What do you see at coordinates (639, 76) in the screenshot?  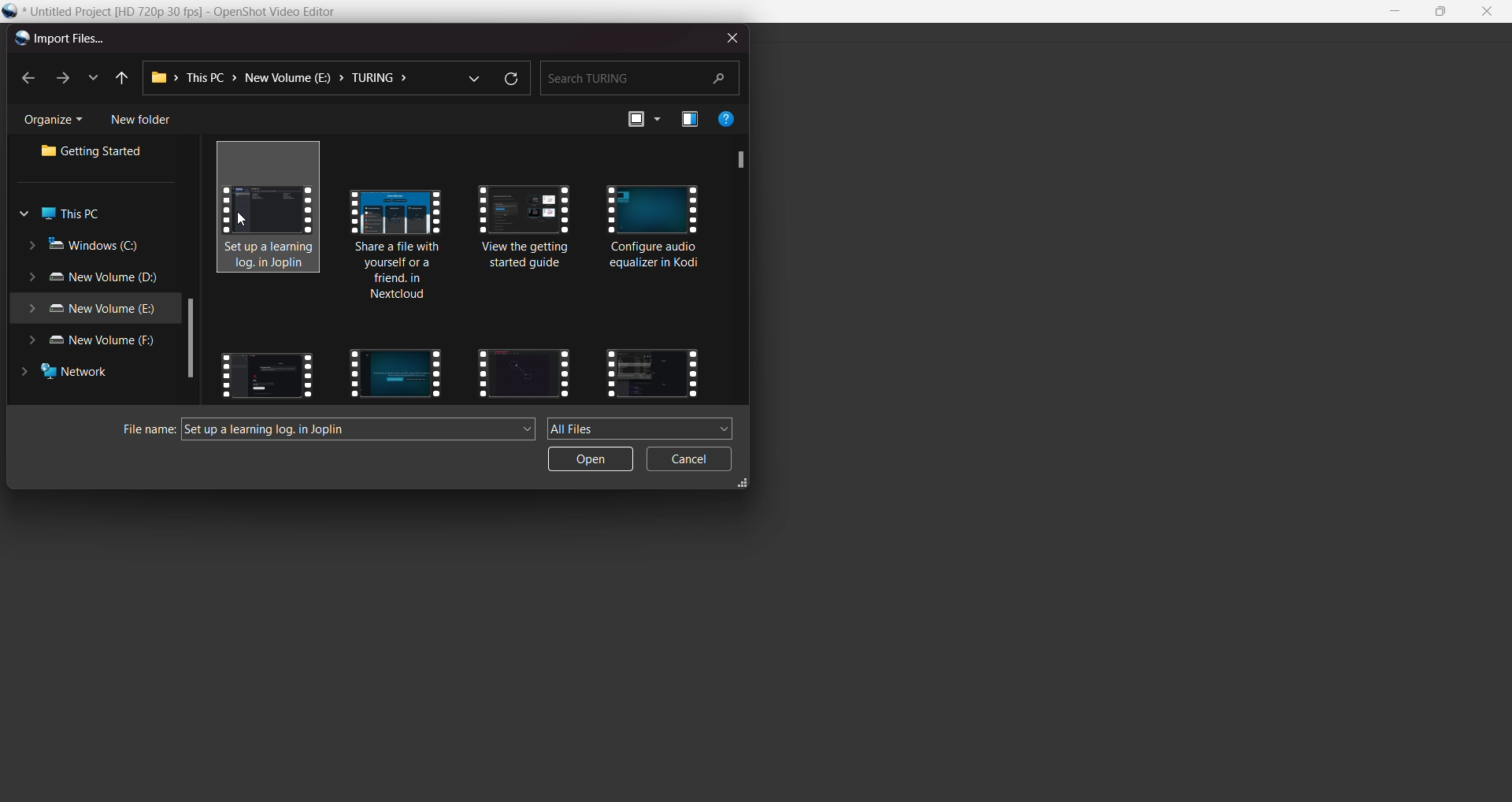 I see `search` at bounding box center [639, 76].